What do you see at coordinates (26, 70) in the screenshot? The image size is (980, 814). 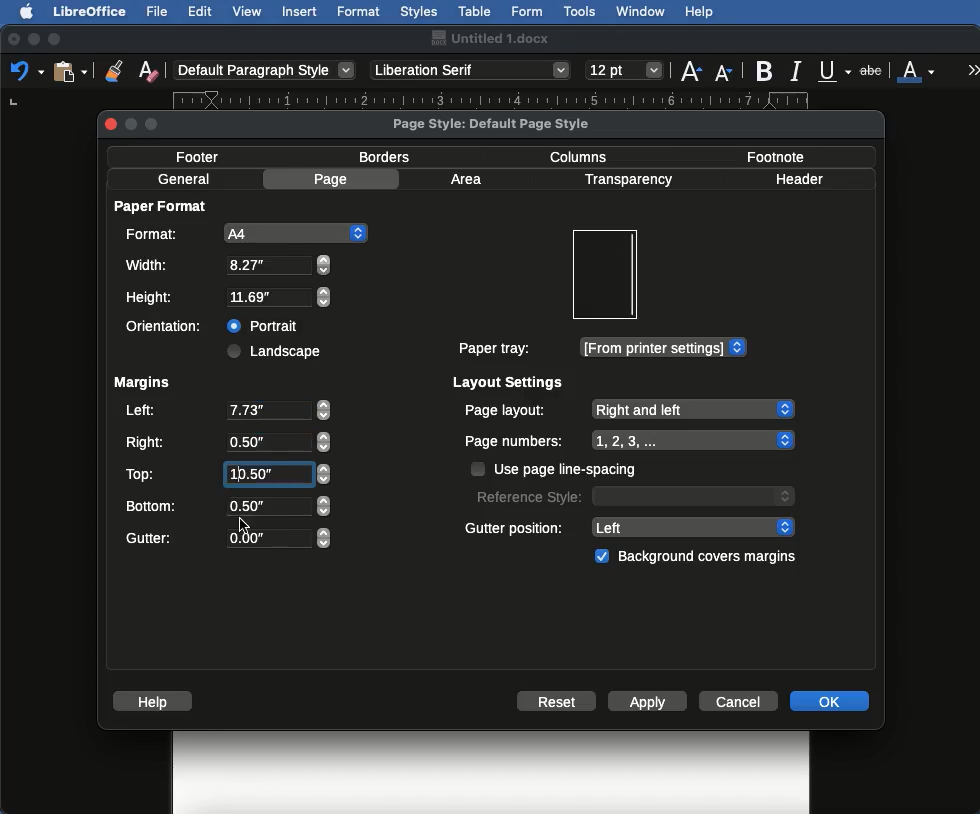 I see `Undo` at bounding box center [26, 70].